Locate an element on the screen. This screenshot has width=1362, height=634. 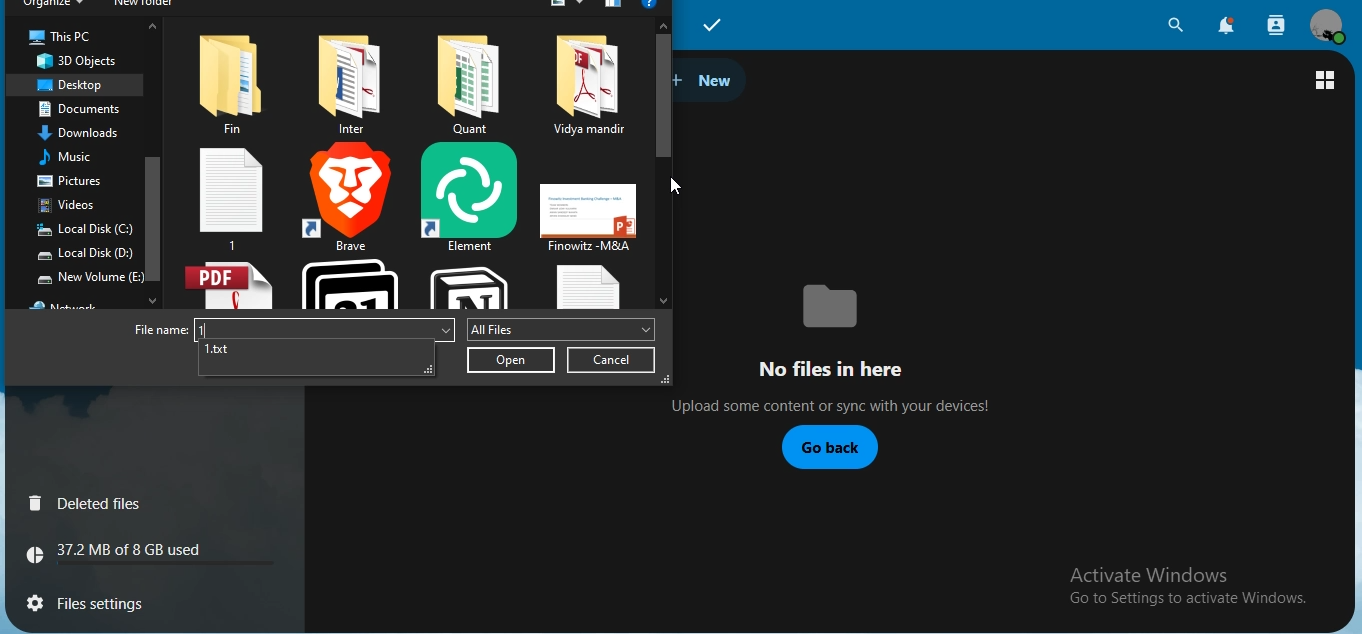
local disk D is located at coordinates (86, 255).